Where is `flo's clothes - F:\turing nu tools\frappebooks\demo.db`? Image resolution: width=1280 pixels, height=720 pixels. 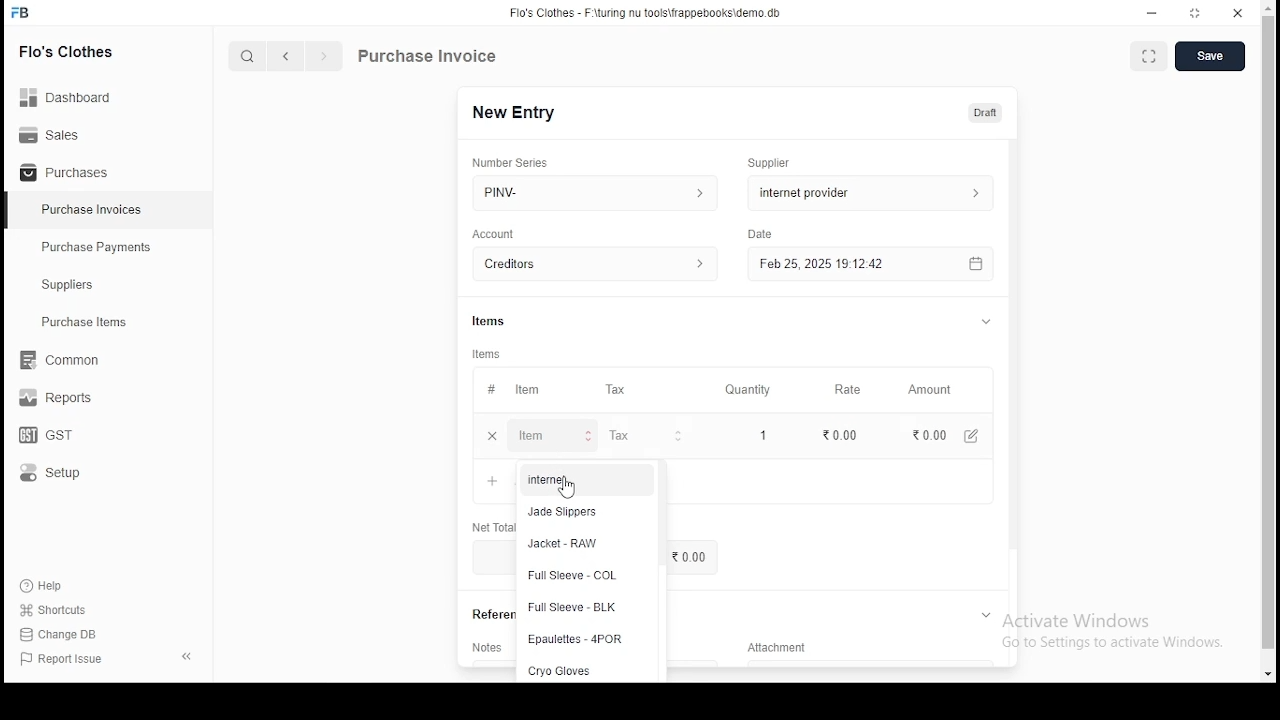 flo's clothes - F:\turing nu tools\frappebooks\demo.db is located at coordinates (650, 13).